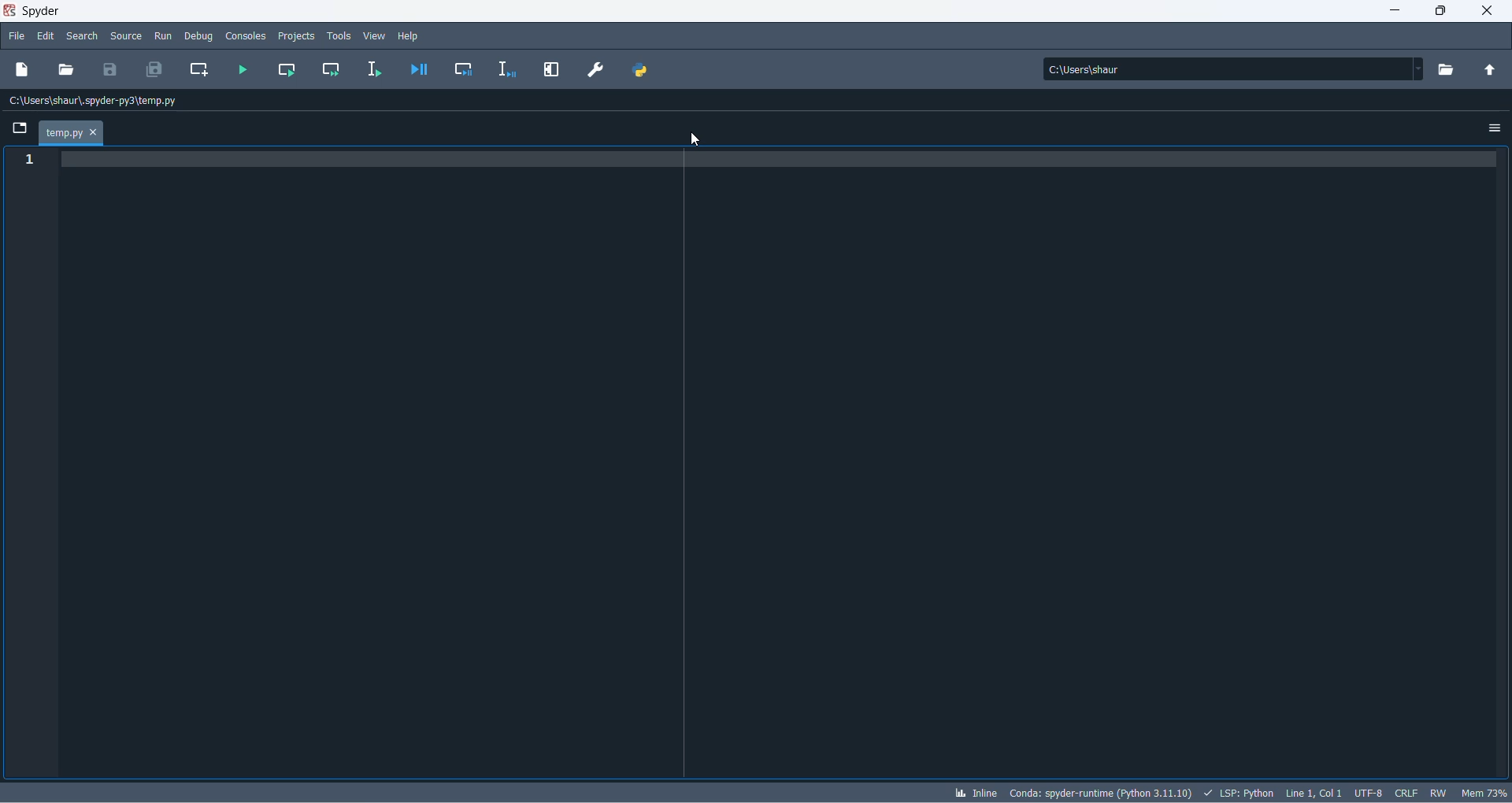 The height and width of the screenshot is (803, 1512). Describe the element at coordinates (1395, 16) in the screenshot. I see `minimize` at that location.